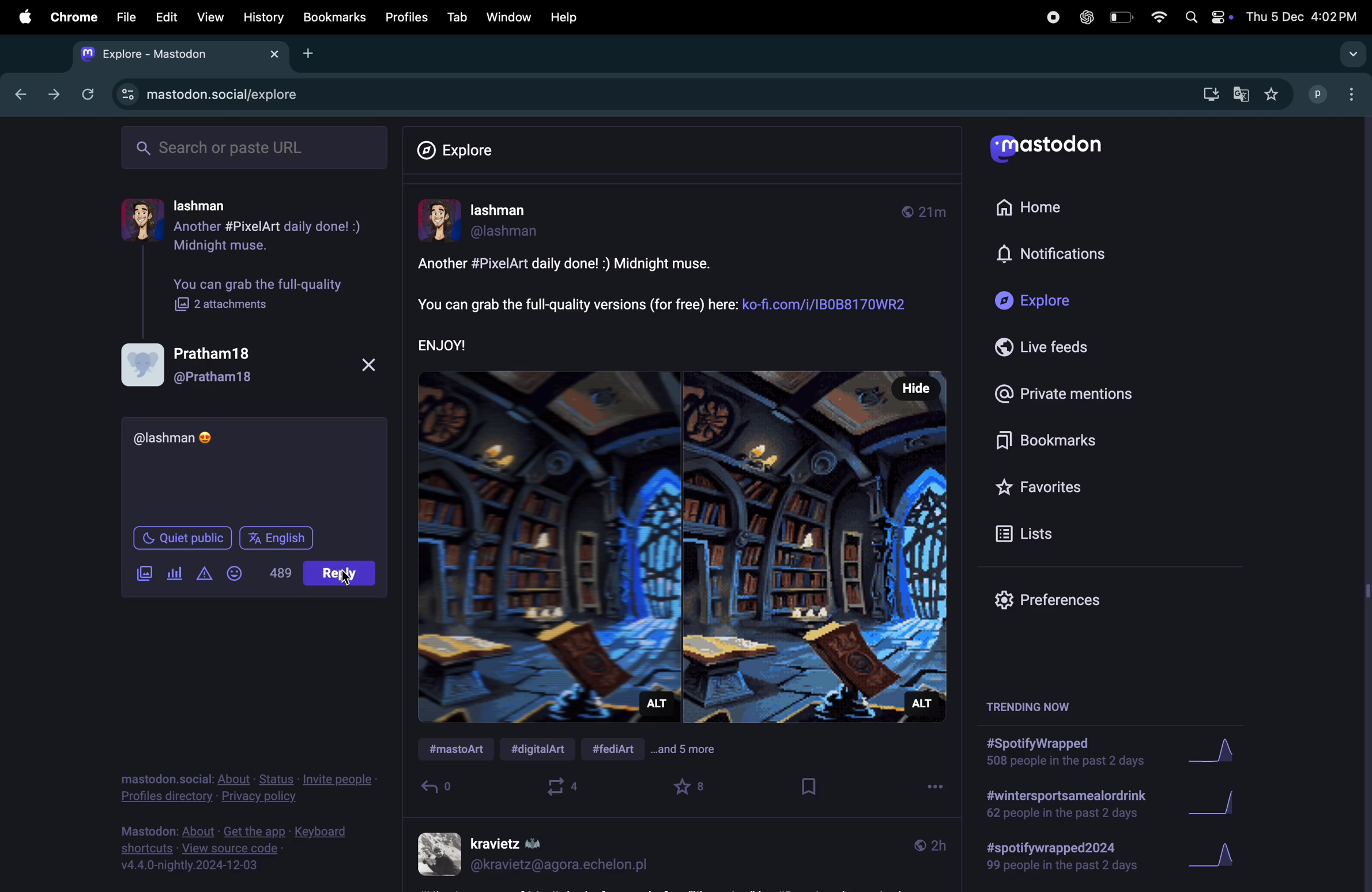 This screenshot has height=892, width=1372. I want to click on battery, so click(1120, 16).